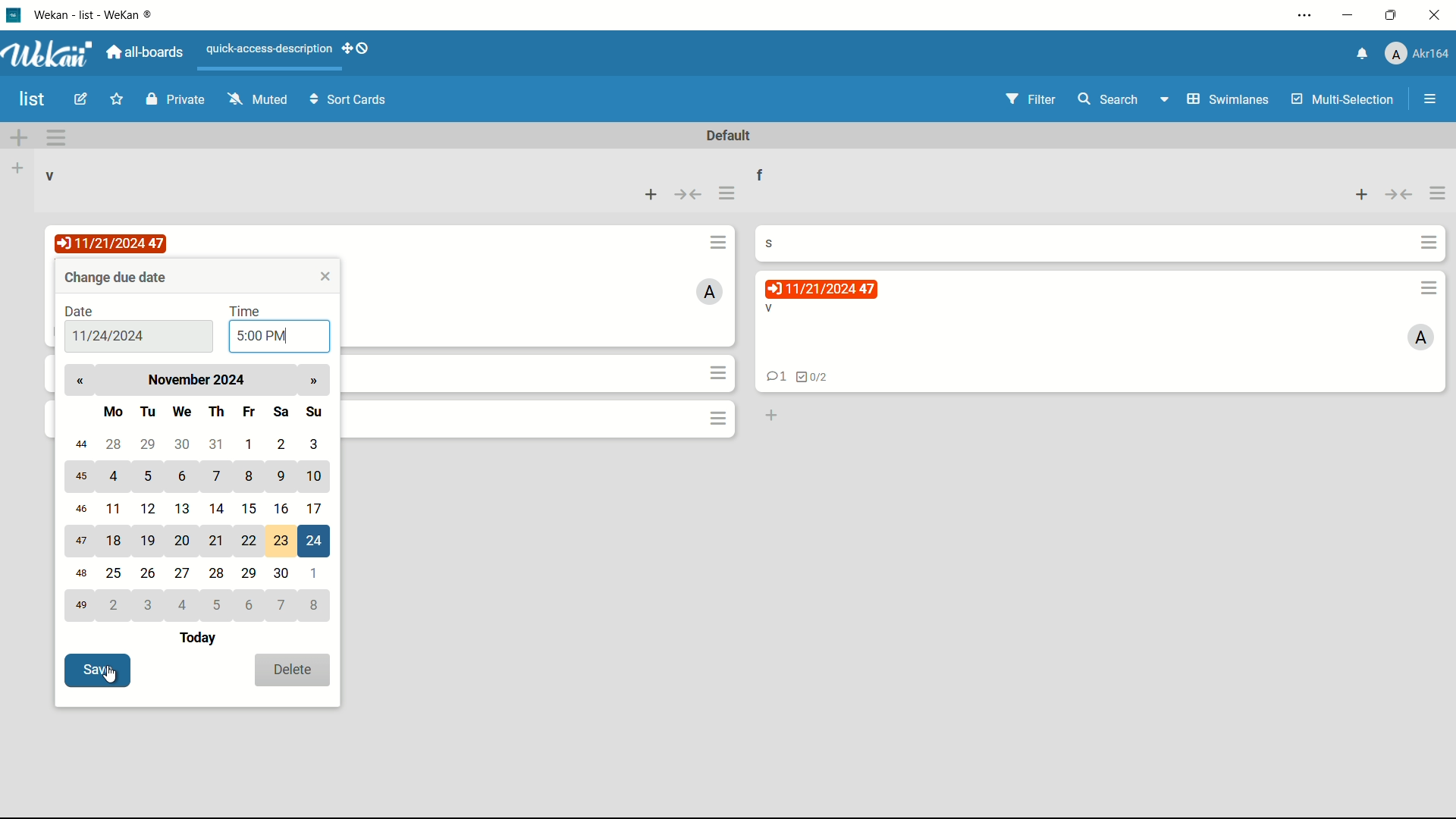 Image resolution: width=1456 pixels, height=819 pixels. What do you see at coordinates (718, 418) in the screenshot?
I see `card actions` at bounding box center [718, 418].